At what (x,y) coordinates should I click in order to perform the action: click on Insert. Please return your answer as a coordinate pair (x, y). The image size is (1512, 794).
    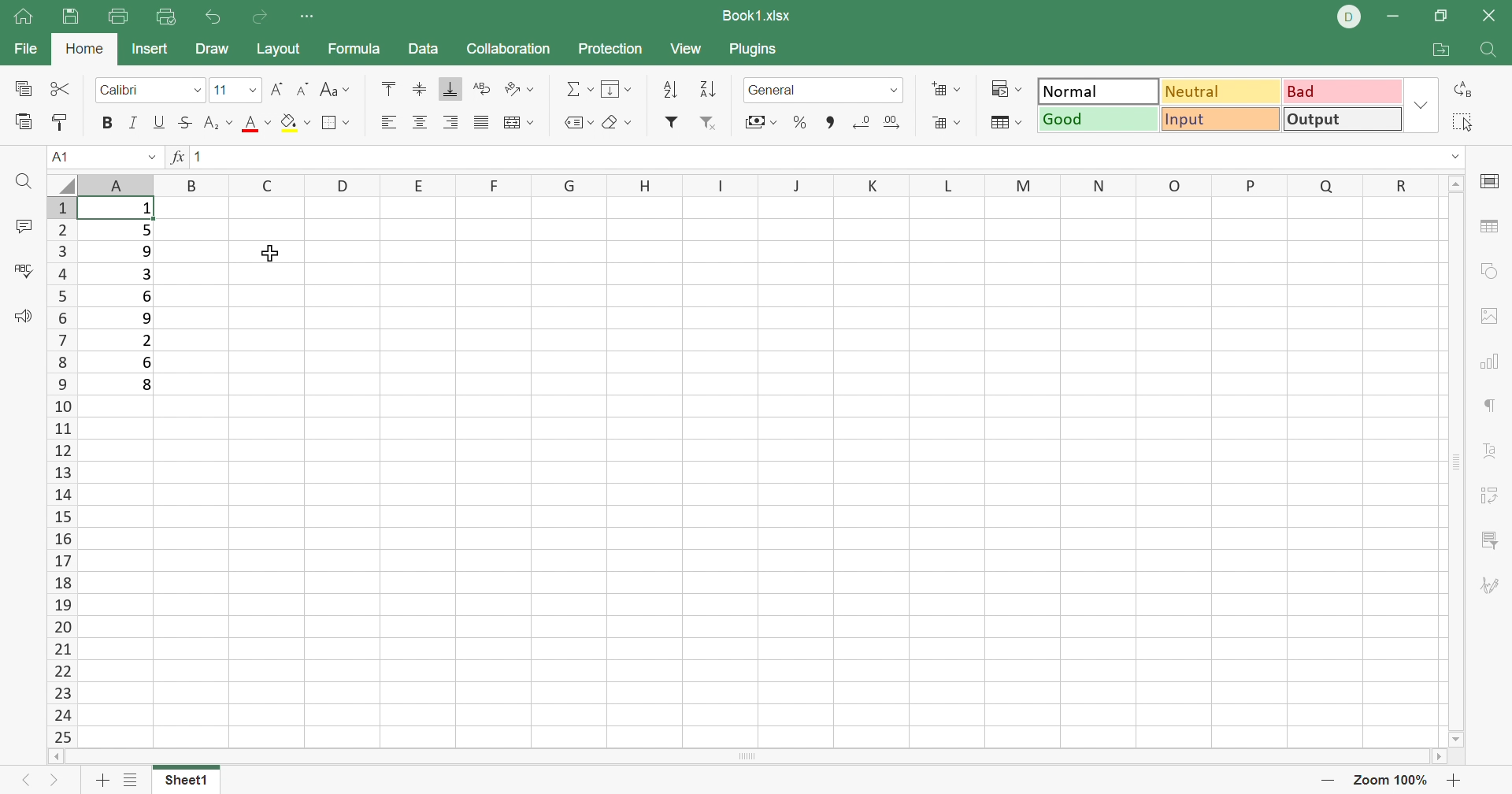
    Looking at the image, I should click on (147, 49).